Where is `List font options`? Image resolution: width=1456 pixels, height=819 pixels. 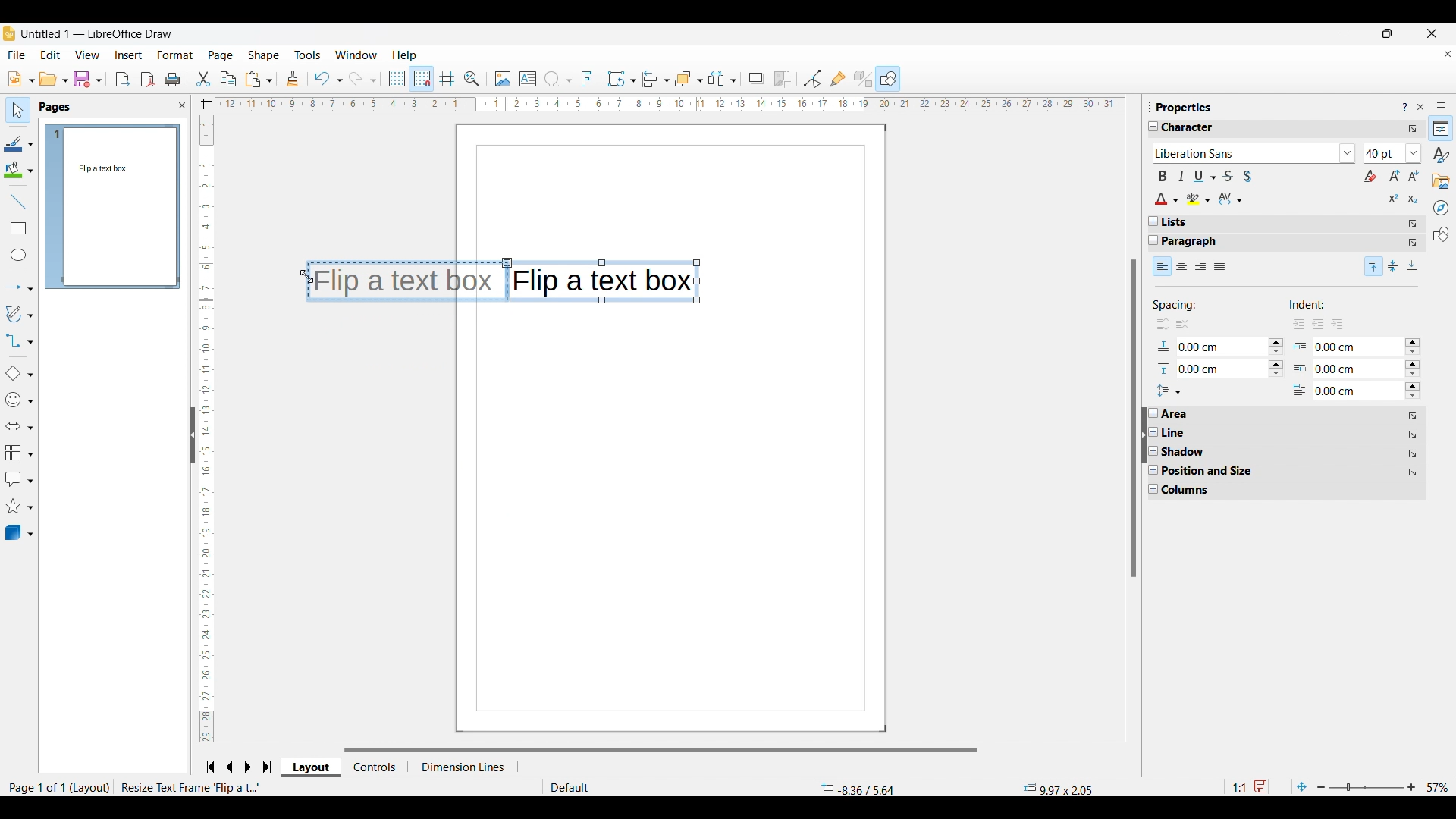
List font options is located at coordinates (1348, 153).